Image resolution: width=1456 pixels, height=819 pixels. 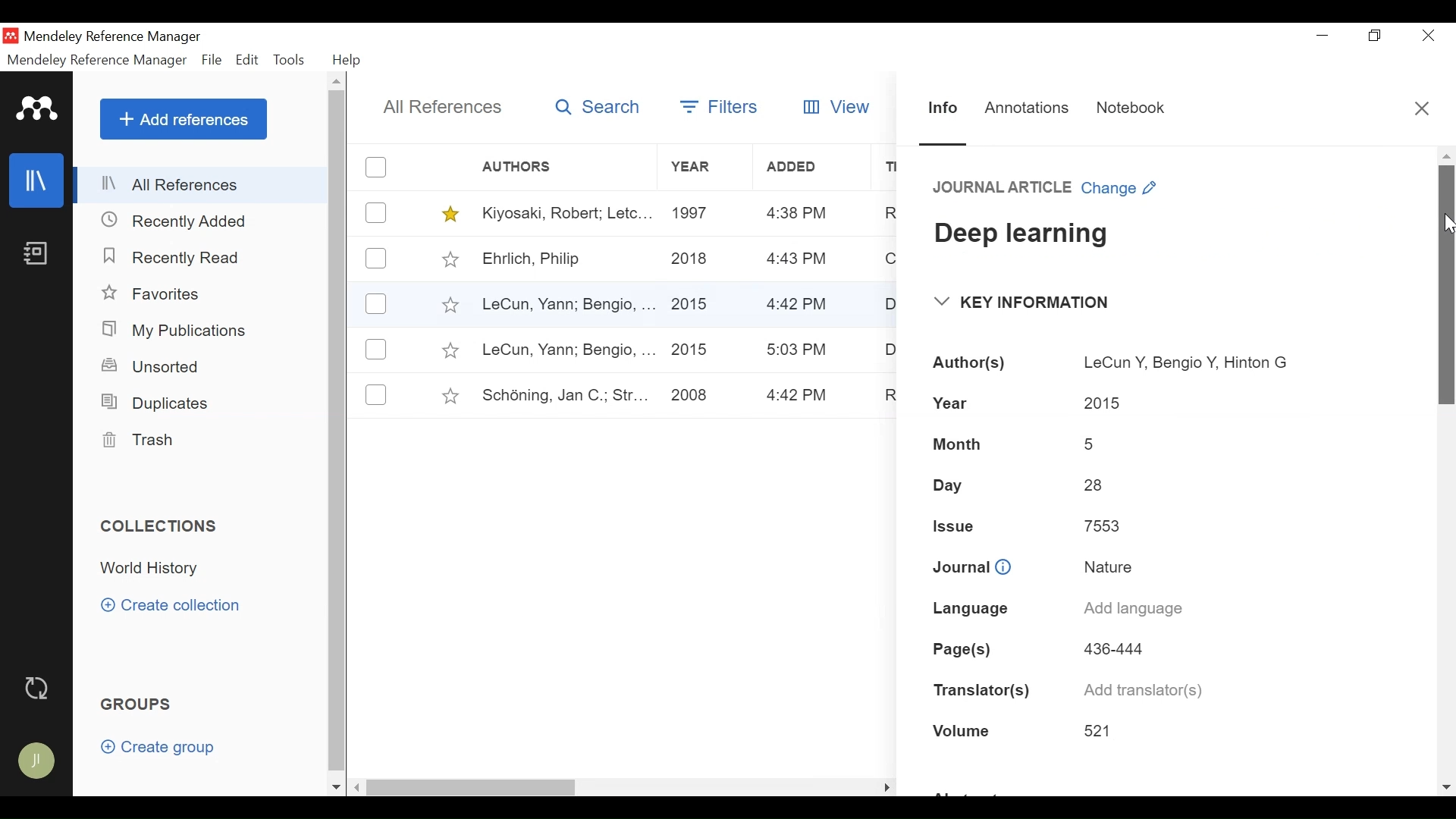 What do you see at coordinates (165, 750) in the screenshot?
I see `Create group` at bounding box center [165, 750].